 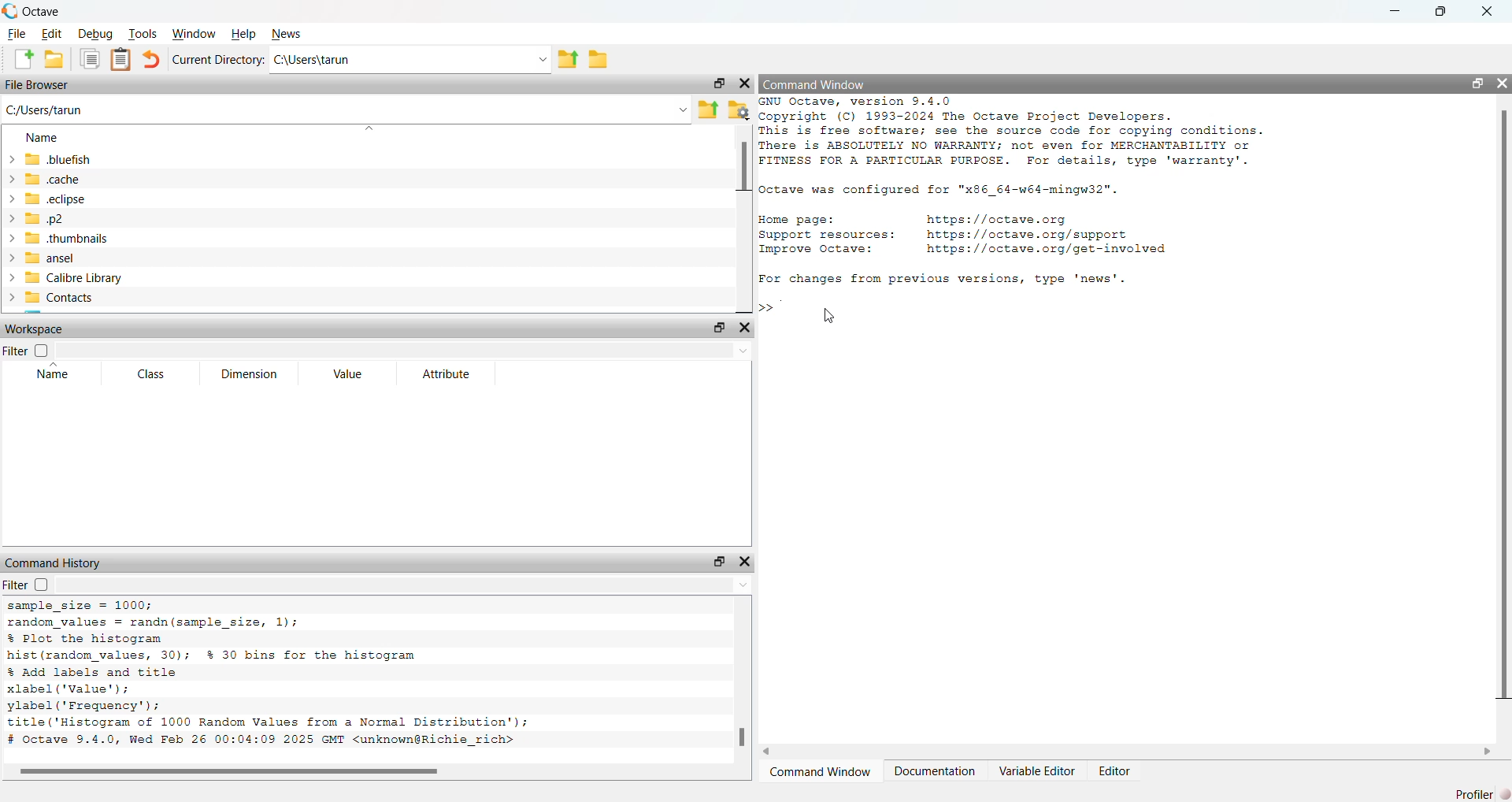 I want to click on dropdown, so click(x=370, y=128).